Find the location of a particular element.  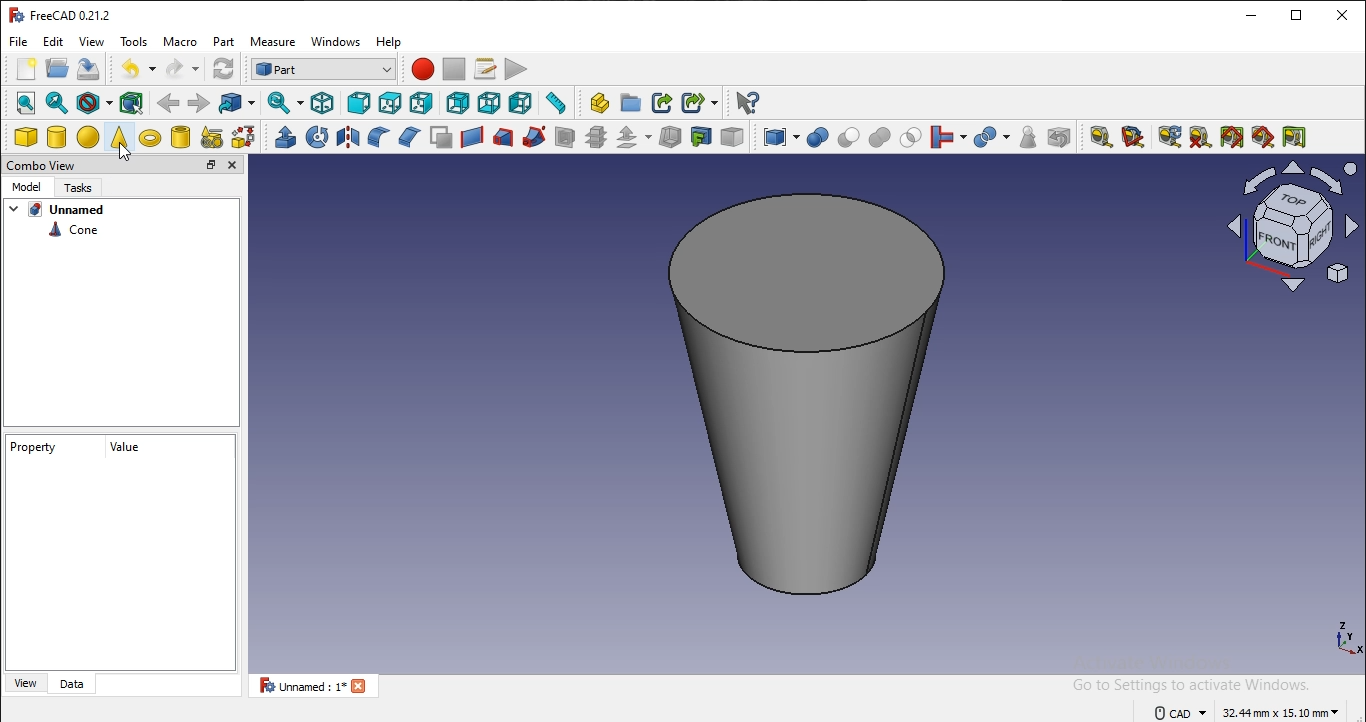

dimensions is located at coordinates (1246, 714).